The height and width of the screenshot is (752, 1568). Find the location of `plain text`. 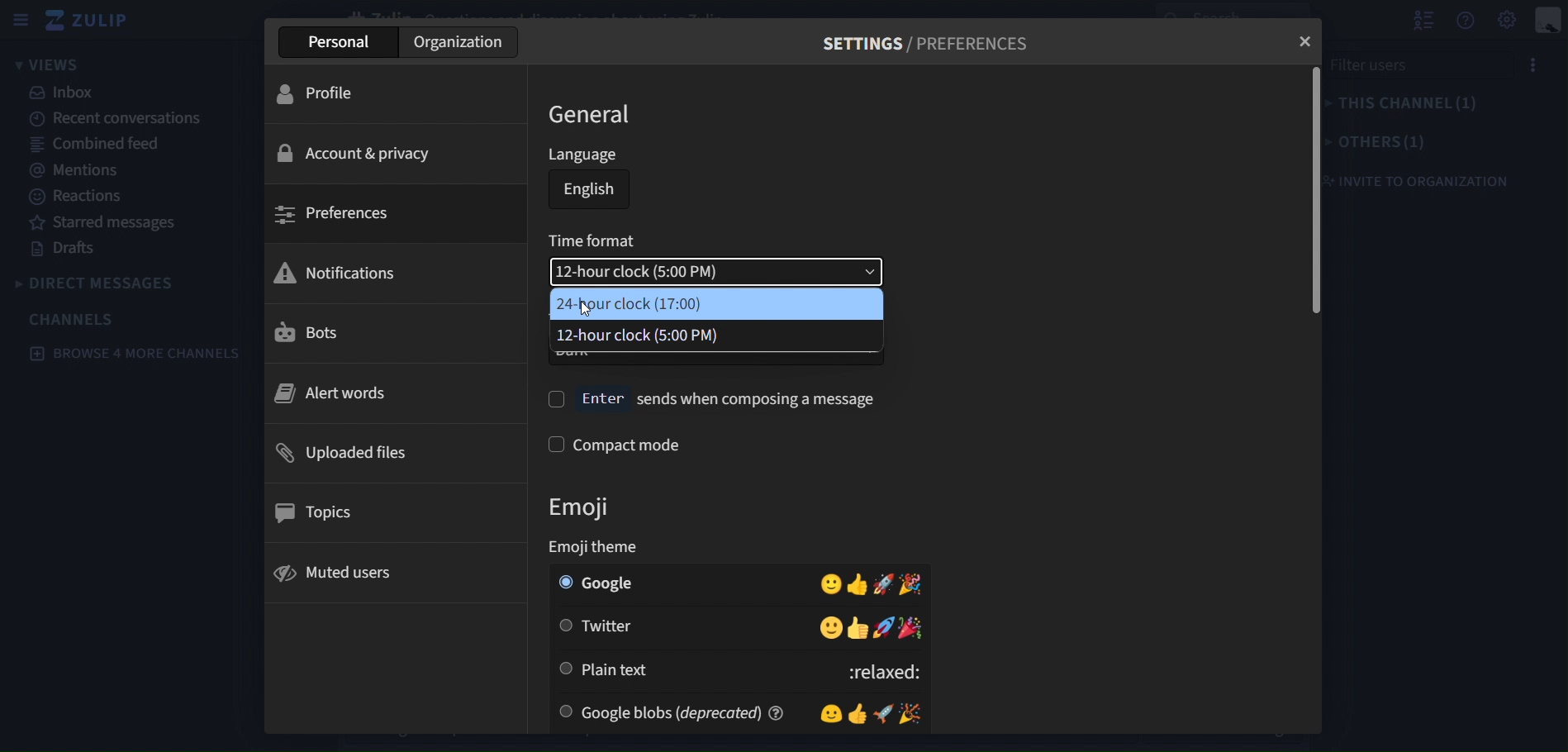

plain text is located at coordinates (604, 670).